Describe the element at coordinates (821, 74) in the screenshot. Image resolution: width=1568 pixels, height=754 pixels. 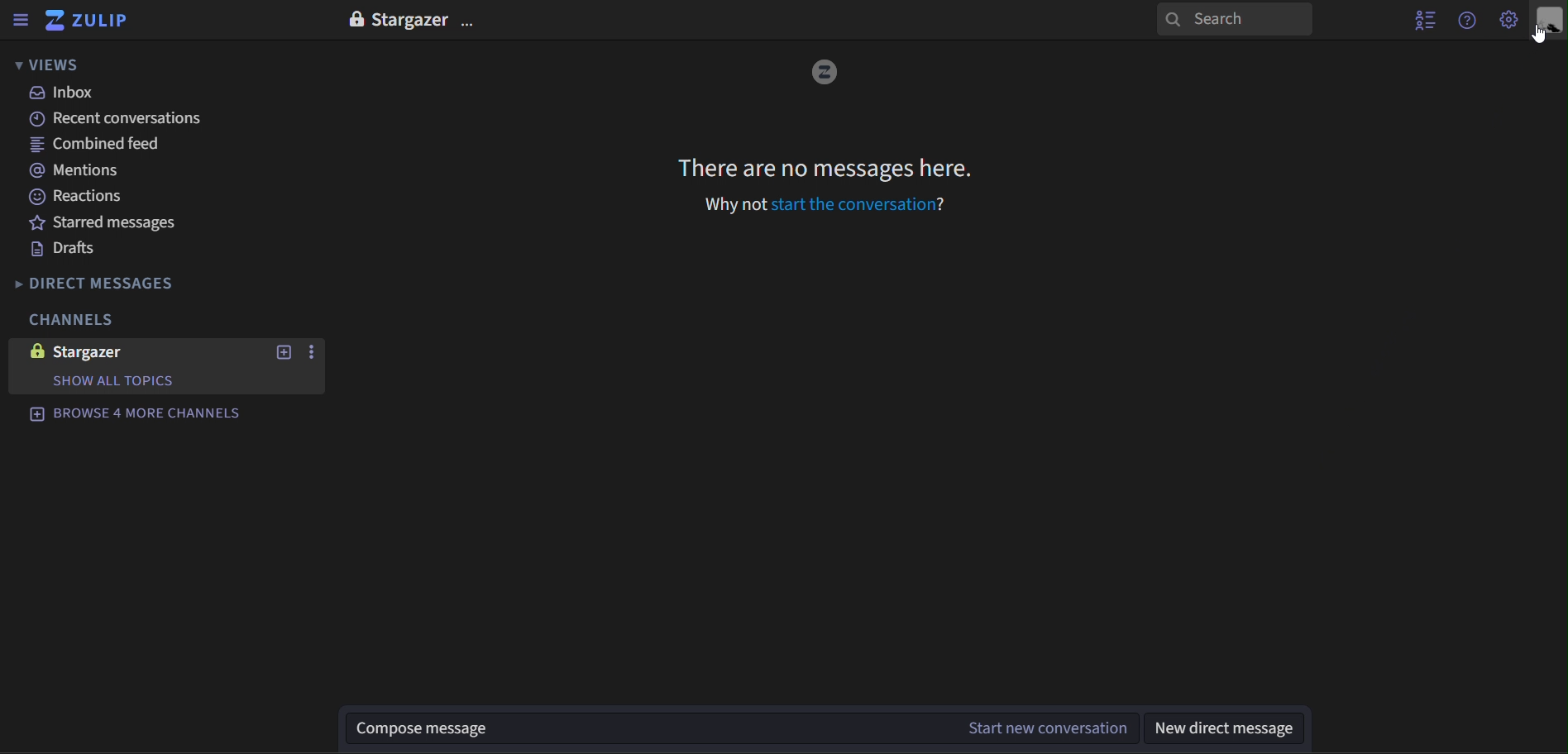
I see `image` at that location.